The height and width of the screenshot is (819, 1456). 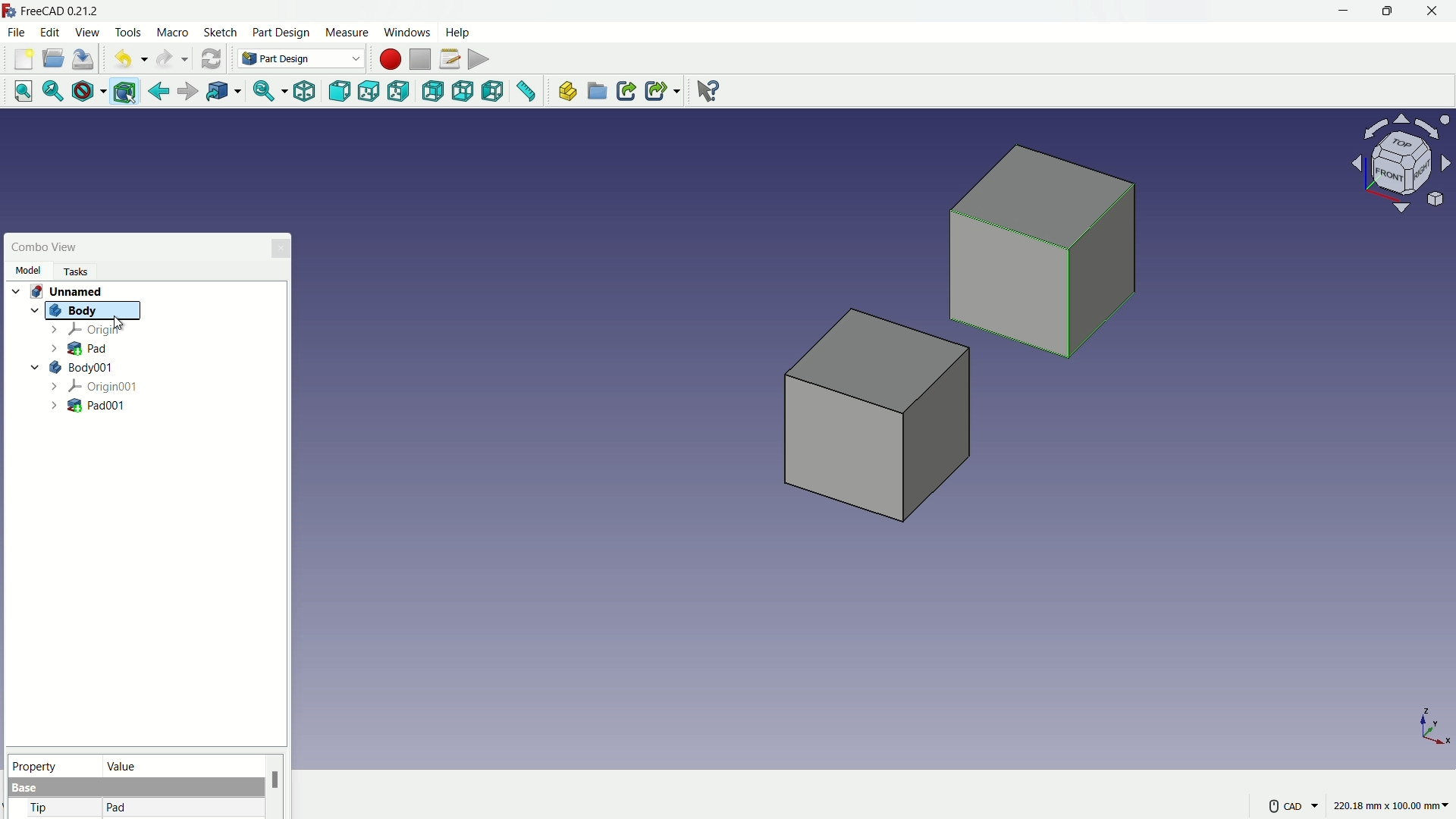 What do you see at coordinates (86, 32) in the screenshot?
I see `view` at bounding box center [86, 32].